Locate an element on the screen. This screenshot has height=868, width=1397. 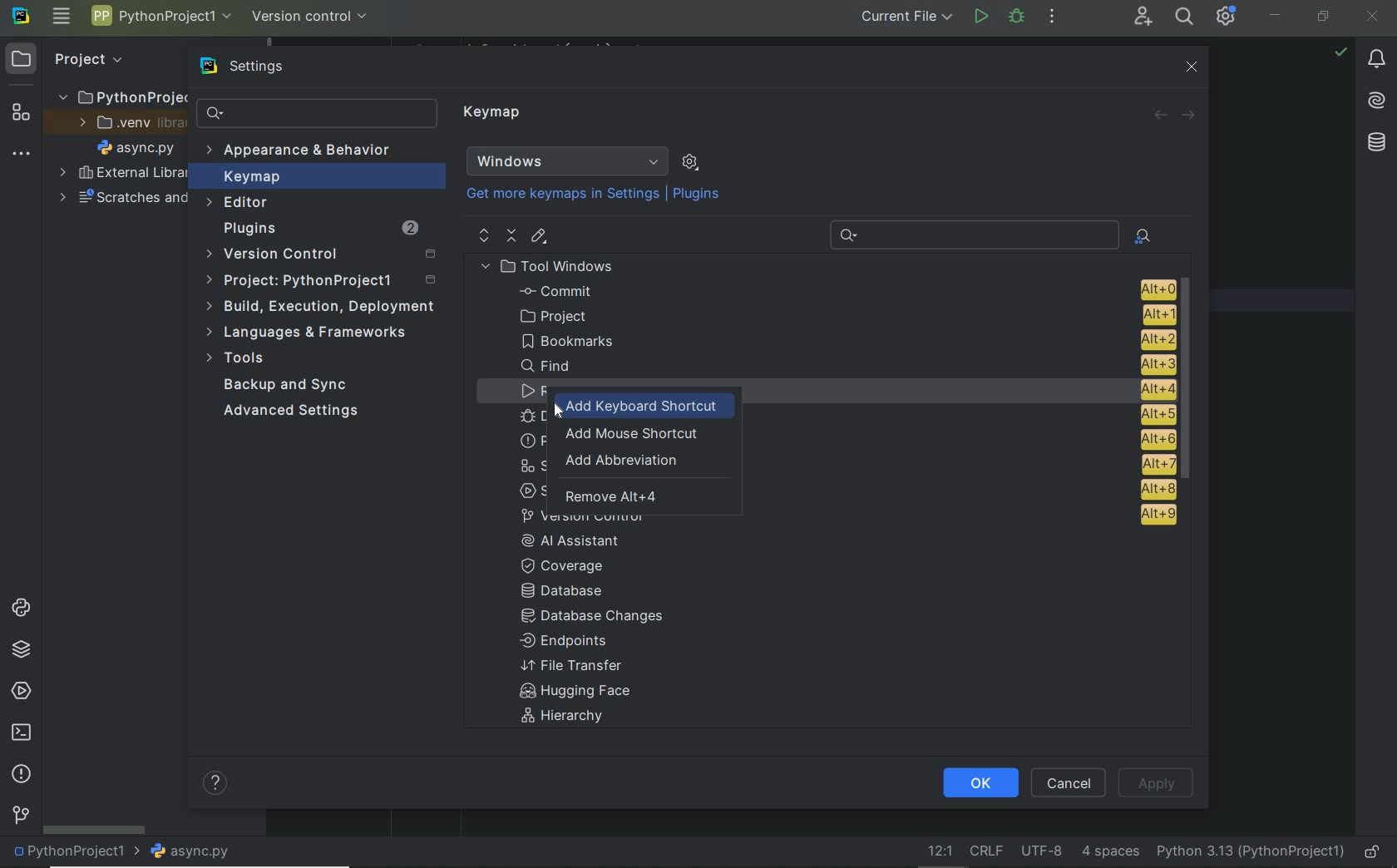
scratches and consoles is located at coordinates (122, 199).